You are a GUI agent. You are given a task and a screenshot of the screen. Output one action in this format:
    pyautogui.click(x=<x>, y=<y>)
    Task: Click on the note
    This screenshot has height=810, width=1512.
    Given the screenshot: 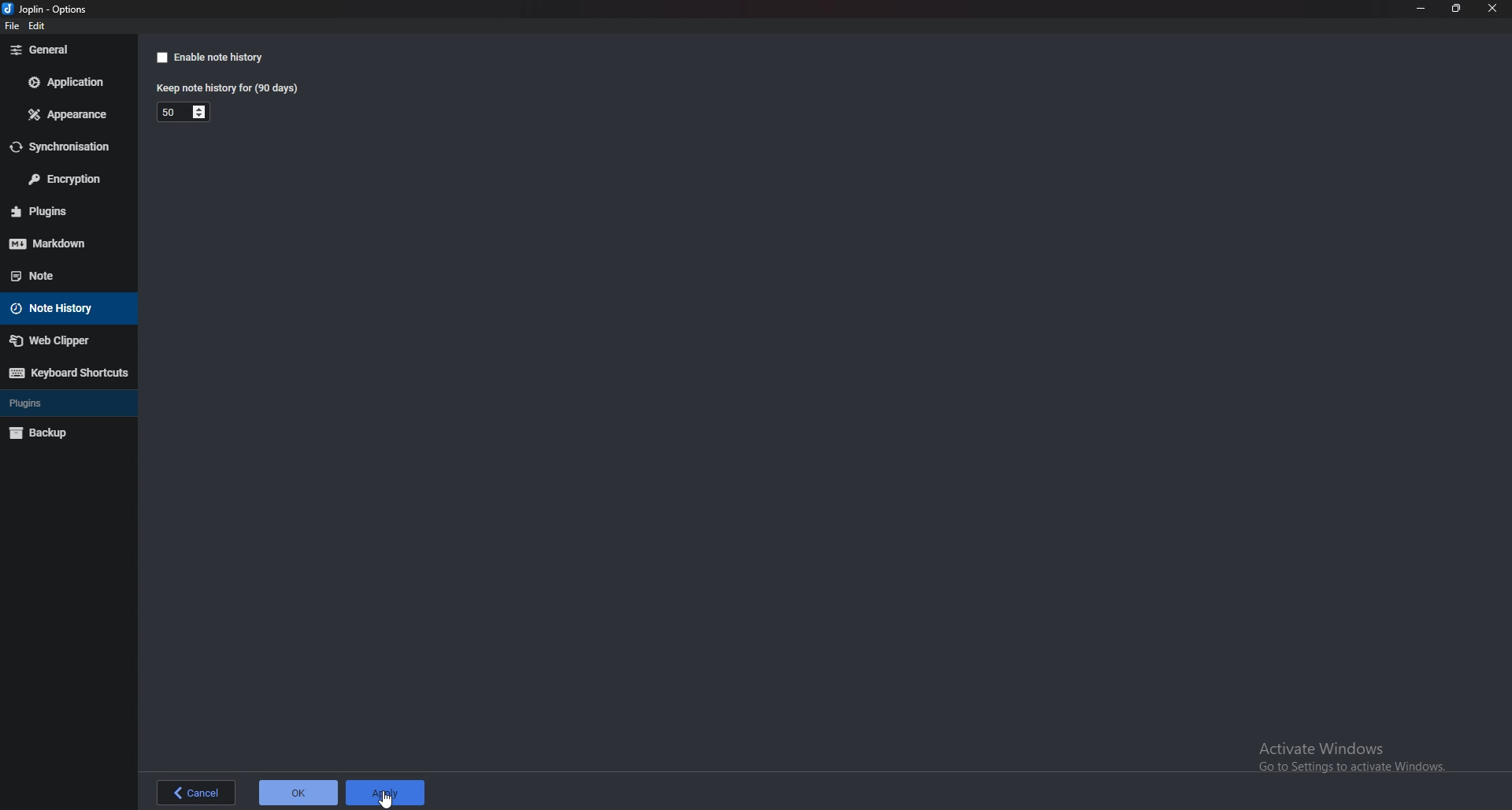 What is the action you would take?
    pyautogui.click(x=56, y=275)
    